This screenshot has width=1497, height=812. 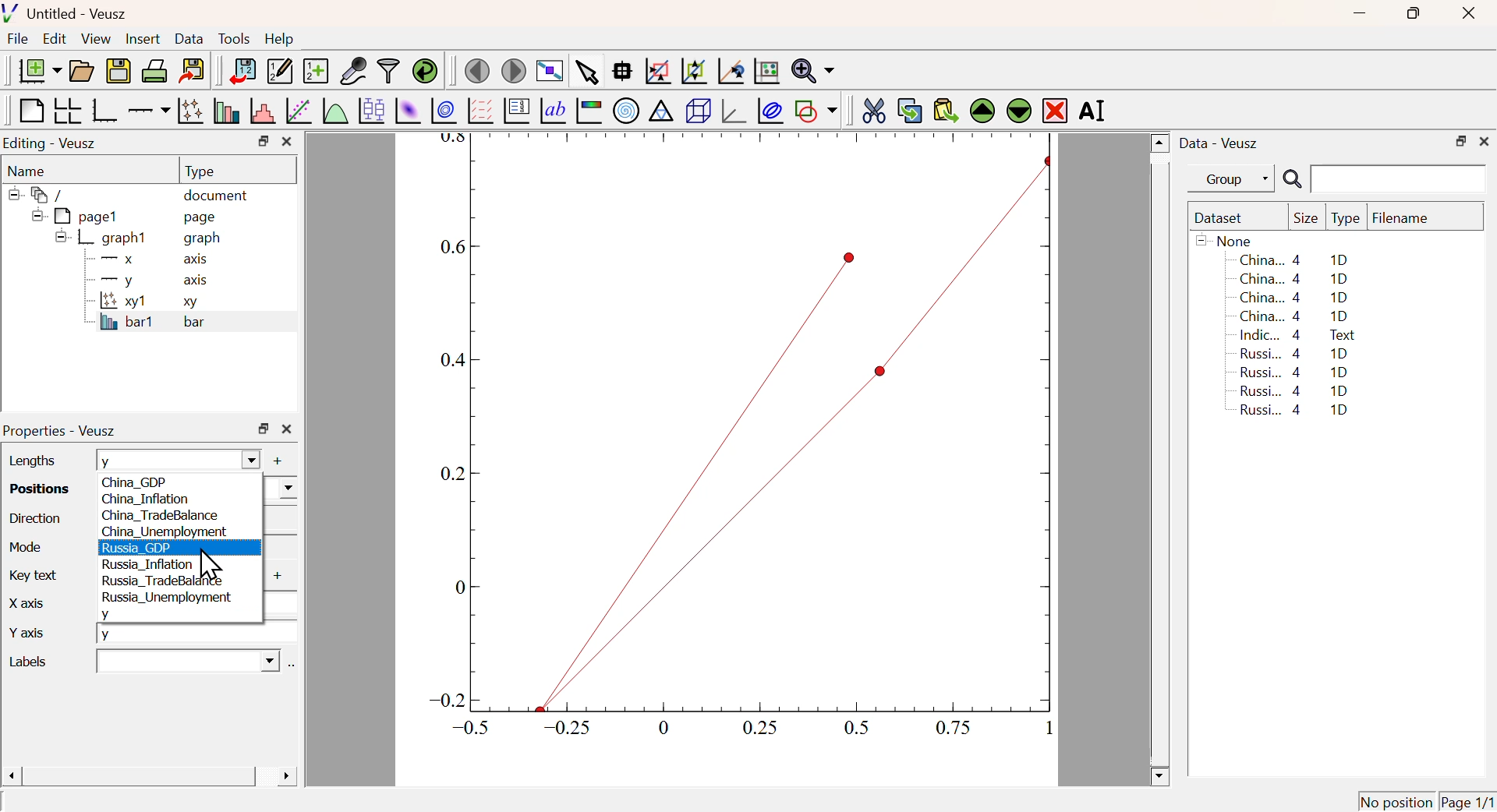 I want to click on Fit a function to data, so click(x=299, y=112).